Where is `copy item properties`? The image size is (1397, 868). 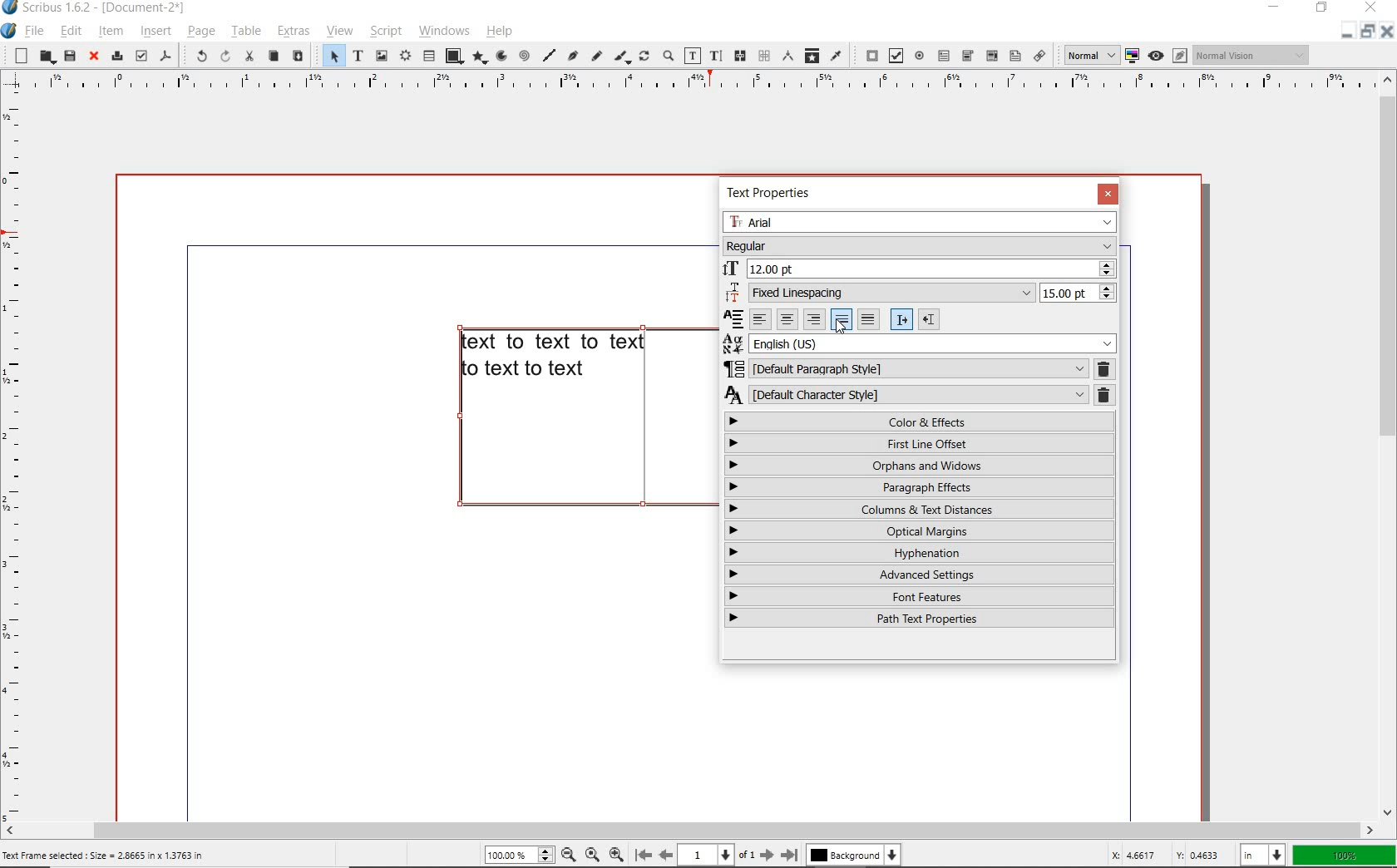
copy item properties is located at coordinates (811, 55).